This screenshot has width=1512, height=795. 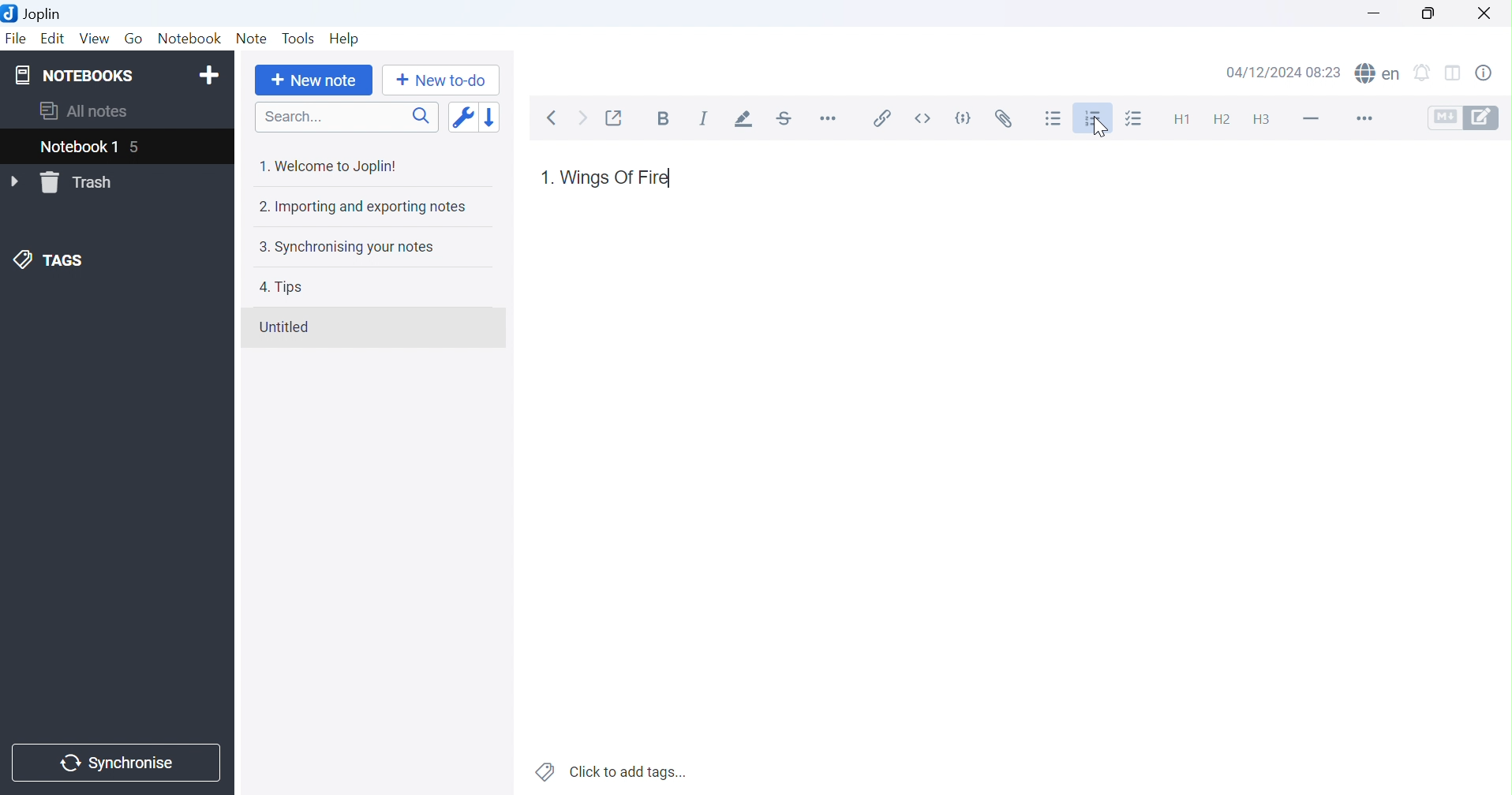 What do you see at coordinates (1178, 119) in the screenshot?
I see `Heading 1` at bounding box center [1178, 119].